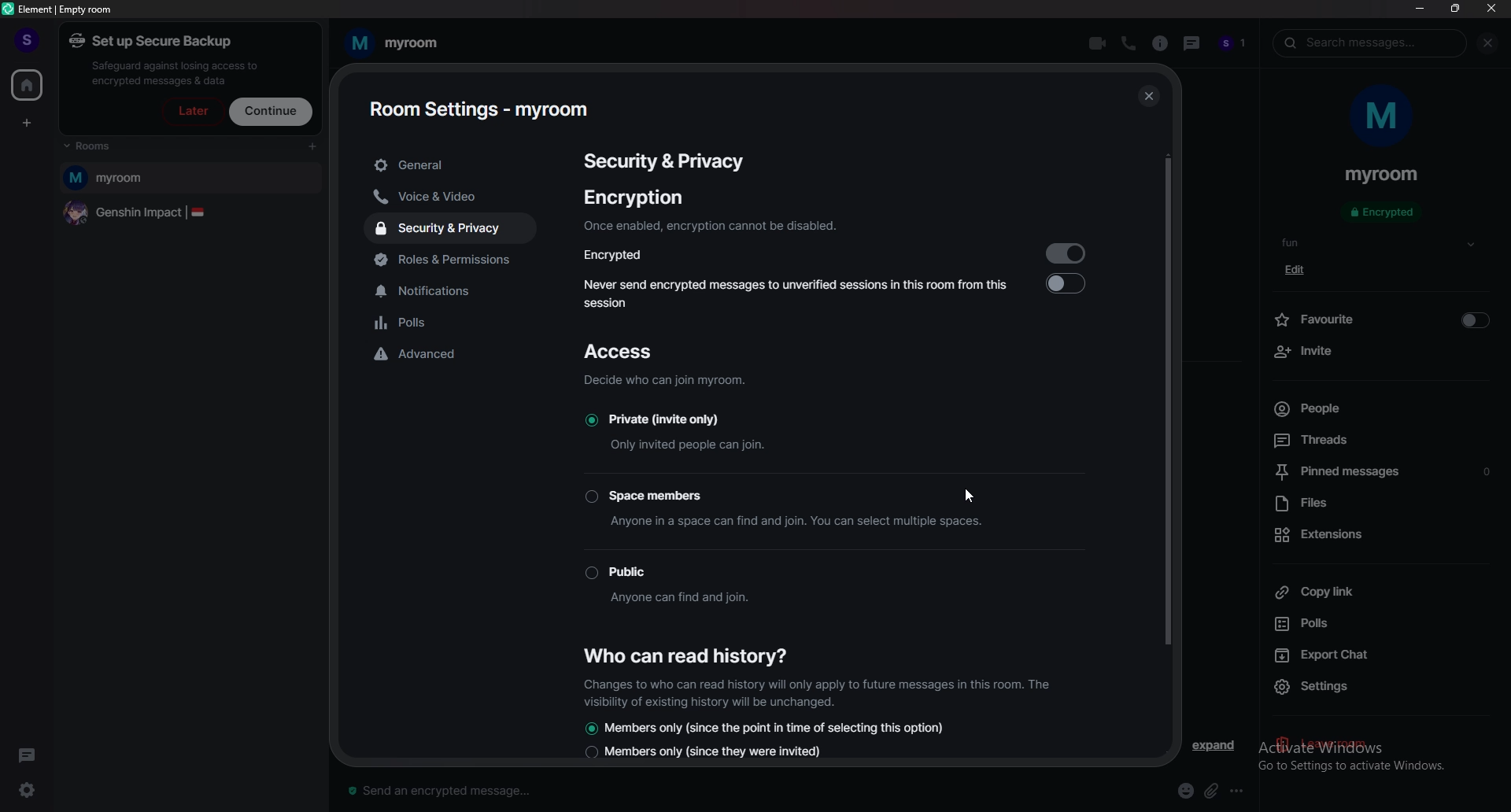  I want to click on Public Anyone can find and join., so click(706, 585).